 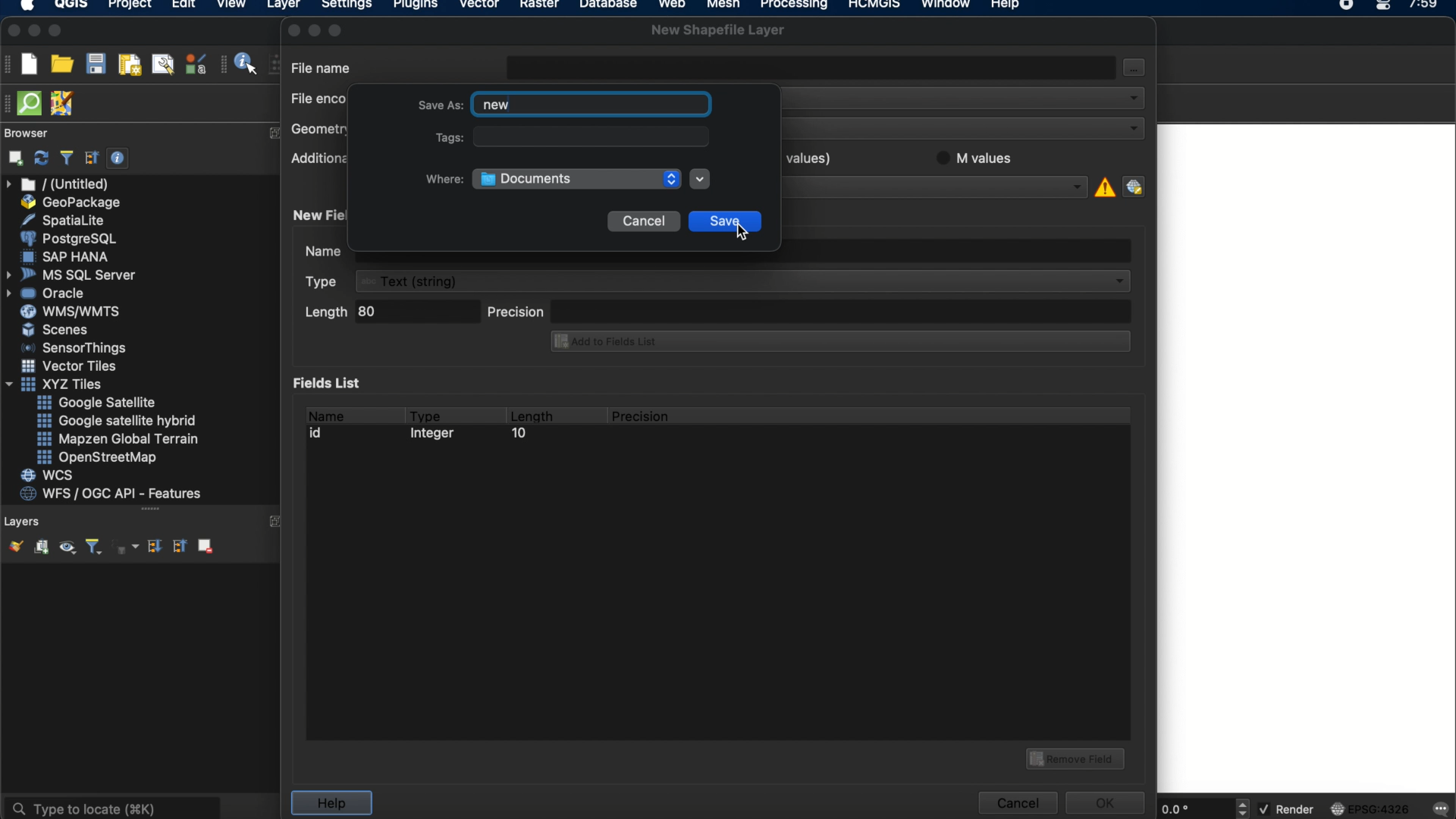 I want to click on degree, so click(x=1192, y=808).